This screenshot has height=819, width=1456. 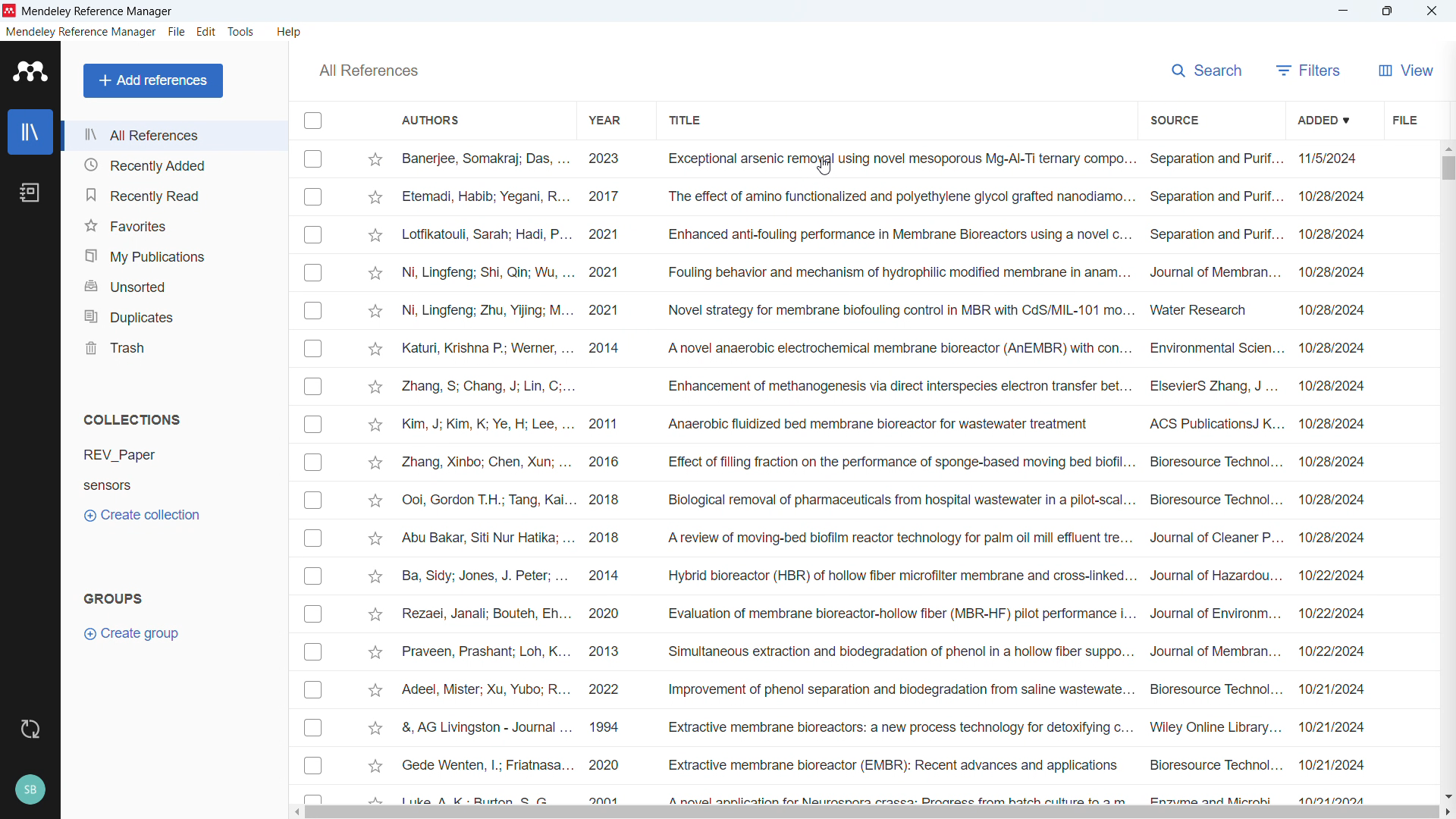 I want to click on anaerobic fluidized bed membrane bioreactor for wastewater treatment, so click(x=888, y=425).